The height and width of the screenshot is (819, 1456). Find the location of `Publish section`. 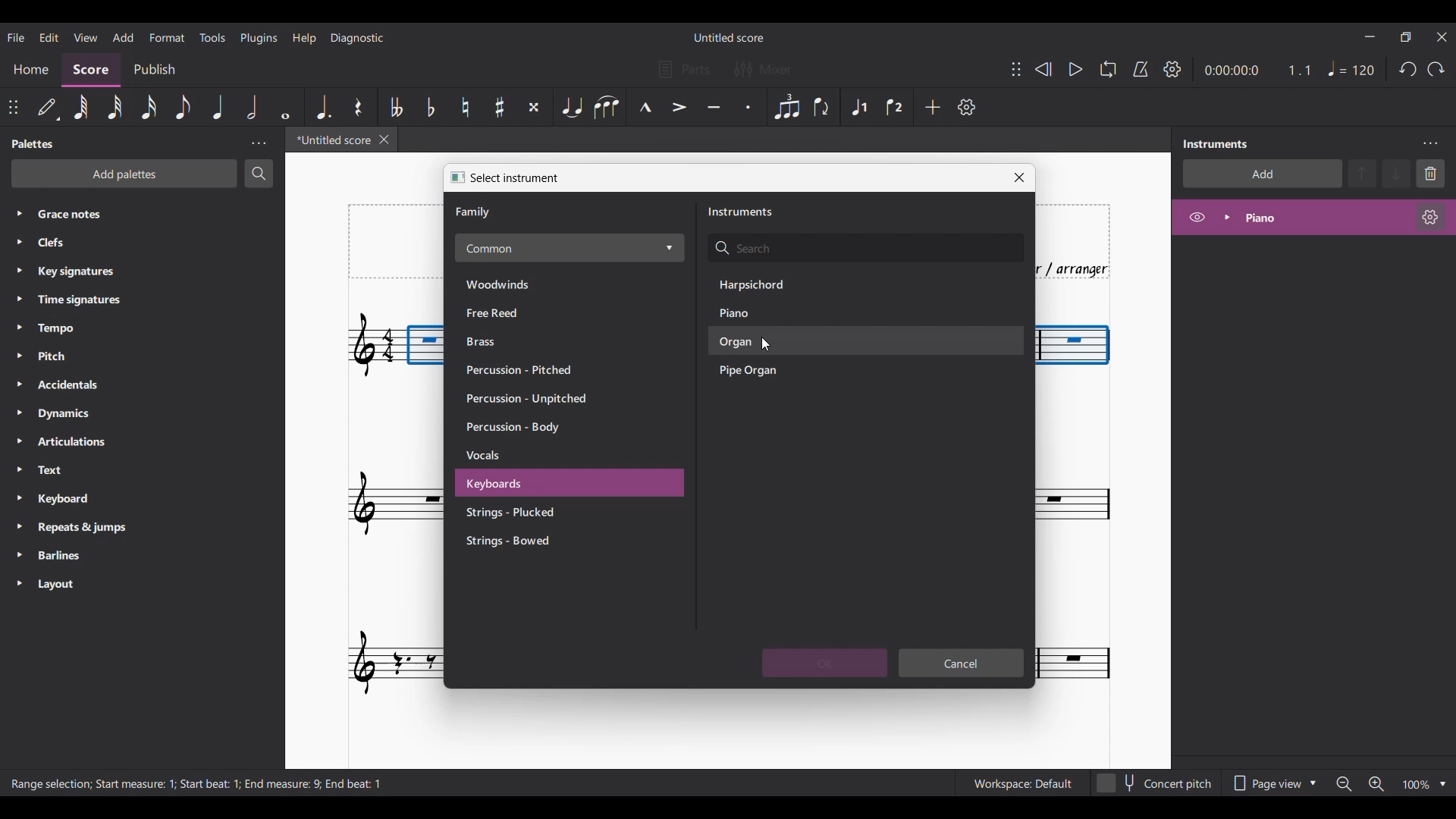

Publish section is located at coordinates (156, 67).